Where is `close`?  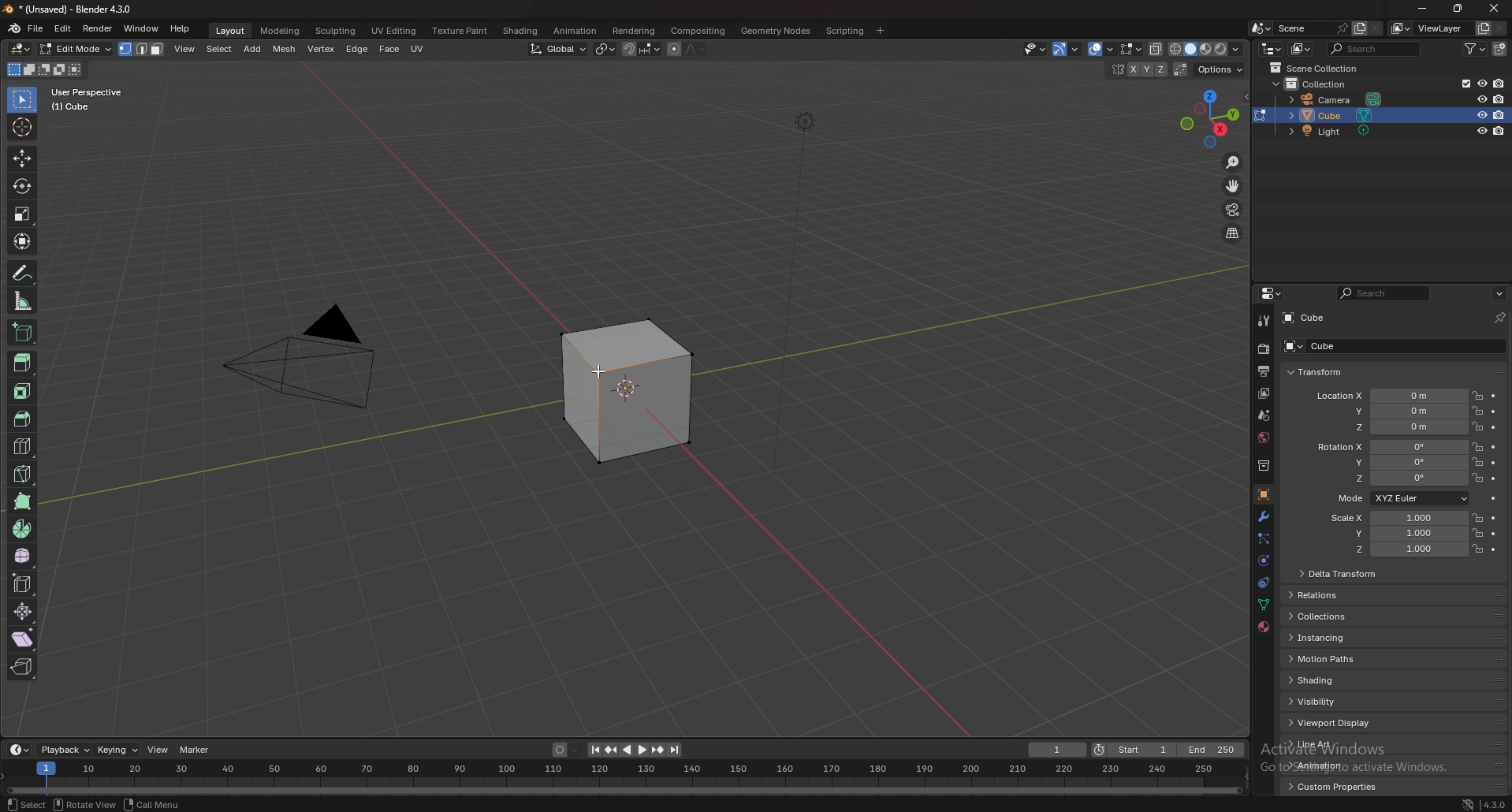
close is located at coordinates (1491, 8).